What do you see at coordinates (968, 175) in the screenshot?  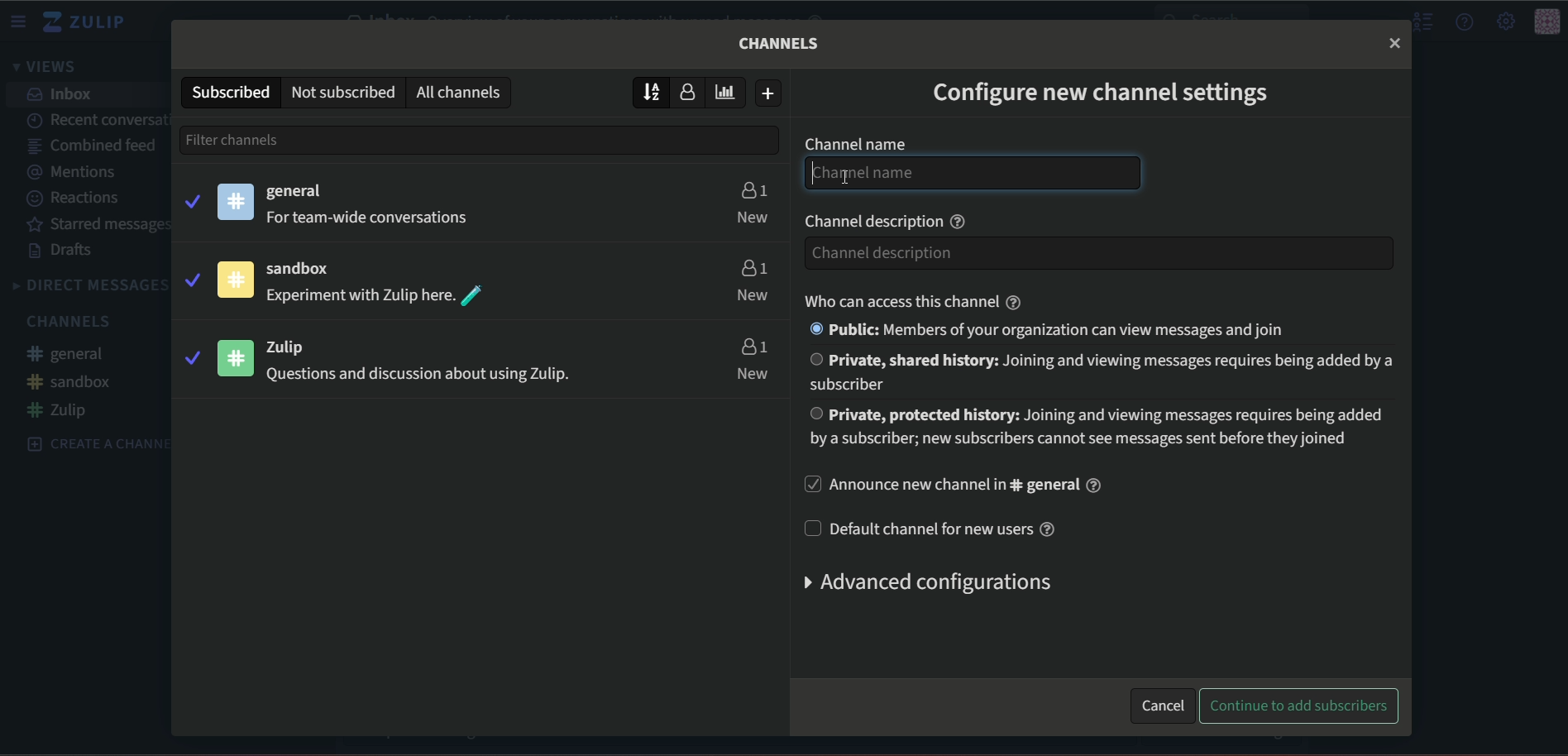 I see `Channel name` at bounding box center [968, 175].